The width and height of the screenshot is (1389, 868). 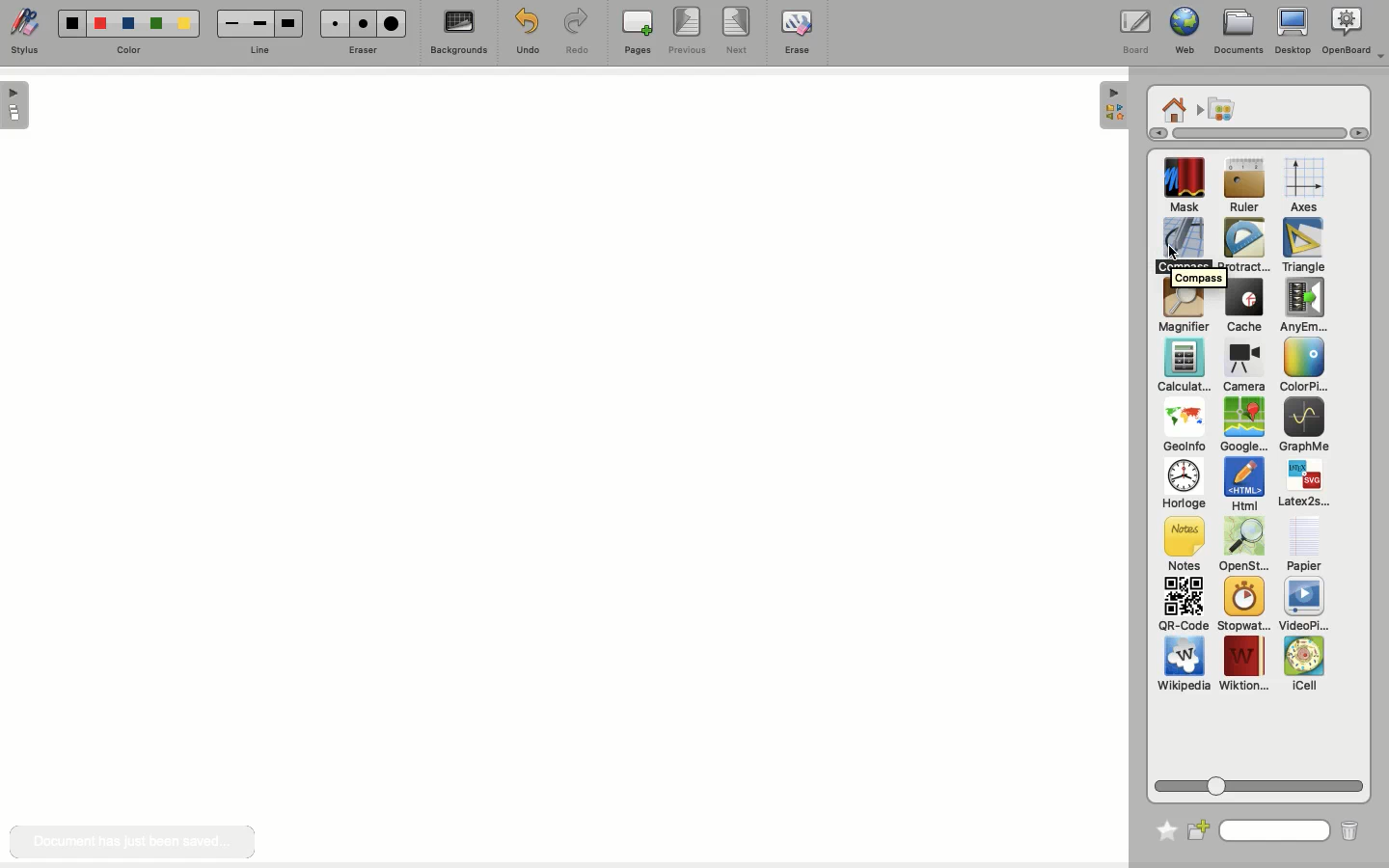 What do you see at coordinates (1301, 246) in the screenshot?
I see `Triangle` at bounding box center [1301, 246].